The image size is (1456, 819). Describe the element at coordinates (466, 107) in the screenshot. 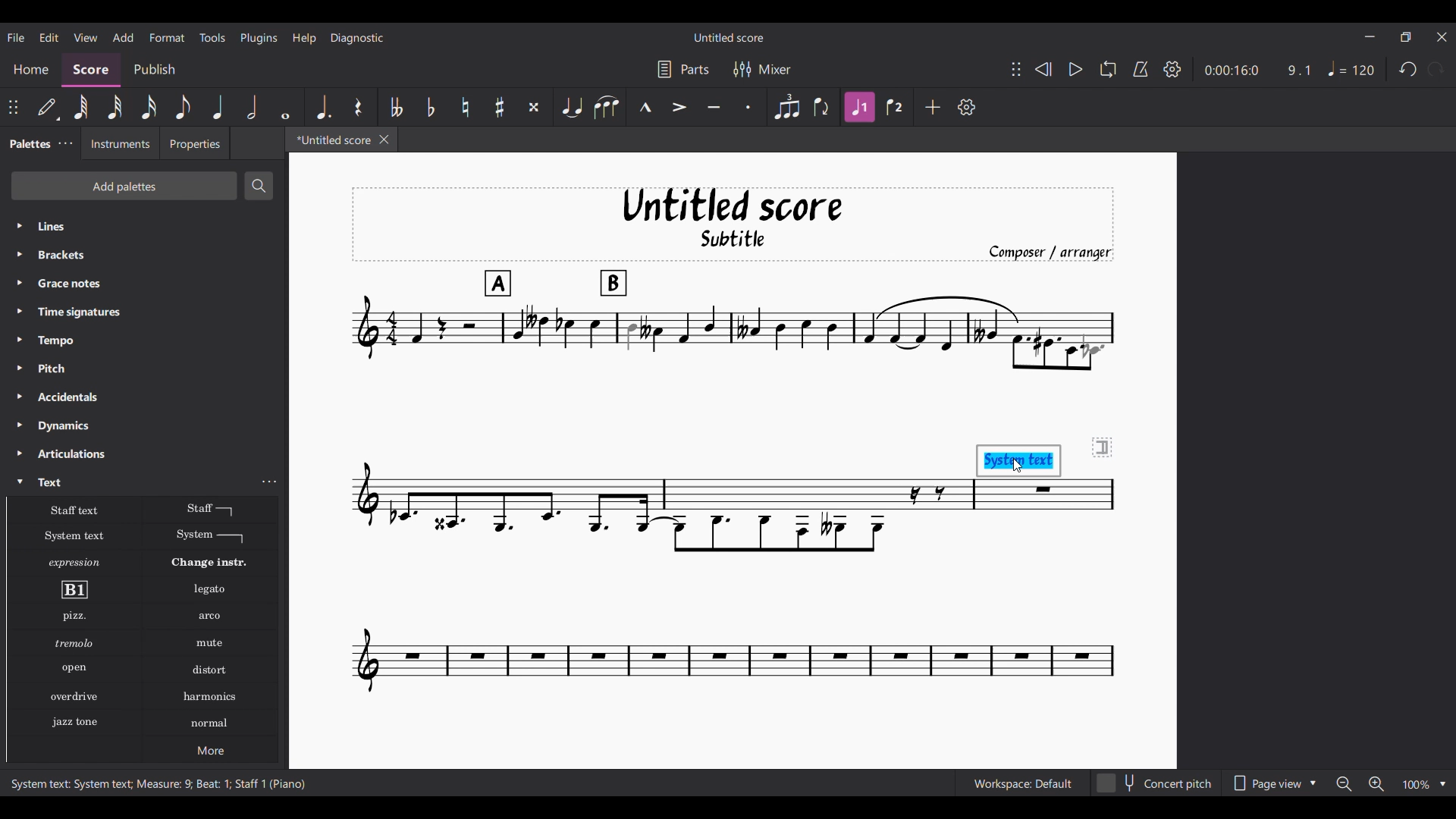

I see `Toggle natural` at that location.